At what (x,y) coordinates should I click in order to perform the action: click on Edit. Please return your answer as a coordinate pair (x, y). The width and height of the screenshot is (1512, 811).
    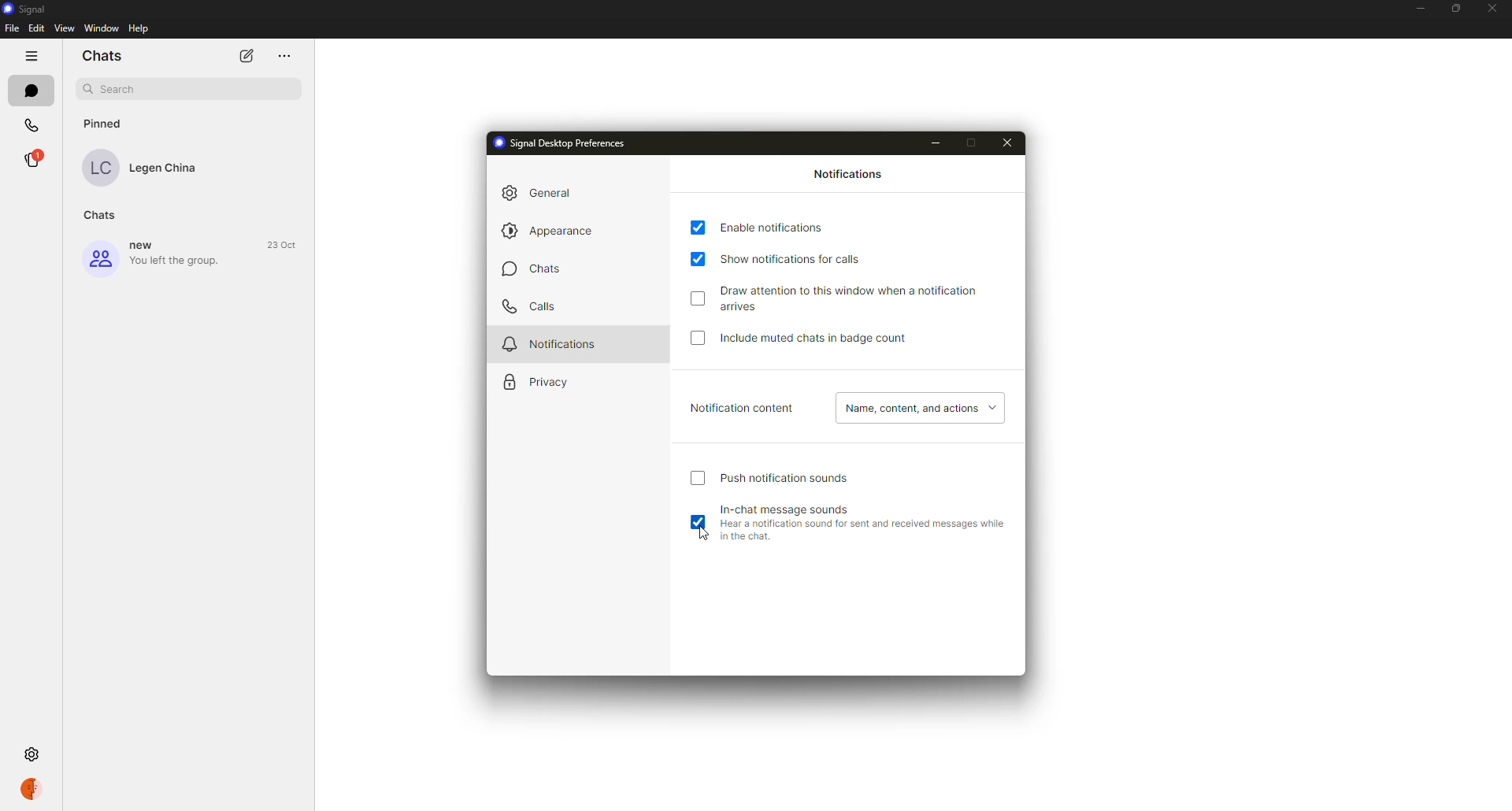
    Looking at the image, I should click on (37, 28).